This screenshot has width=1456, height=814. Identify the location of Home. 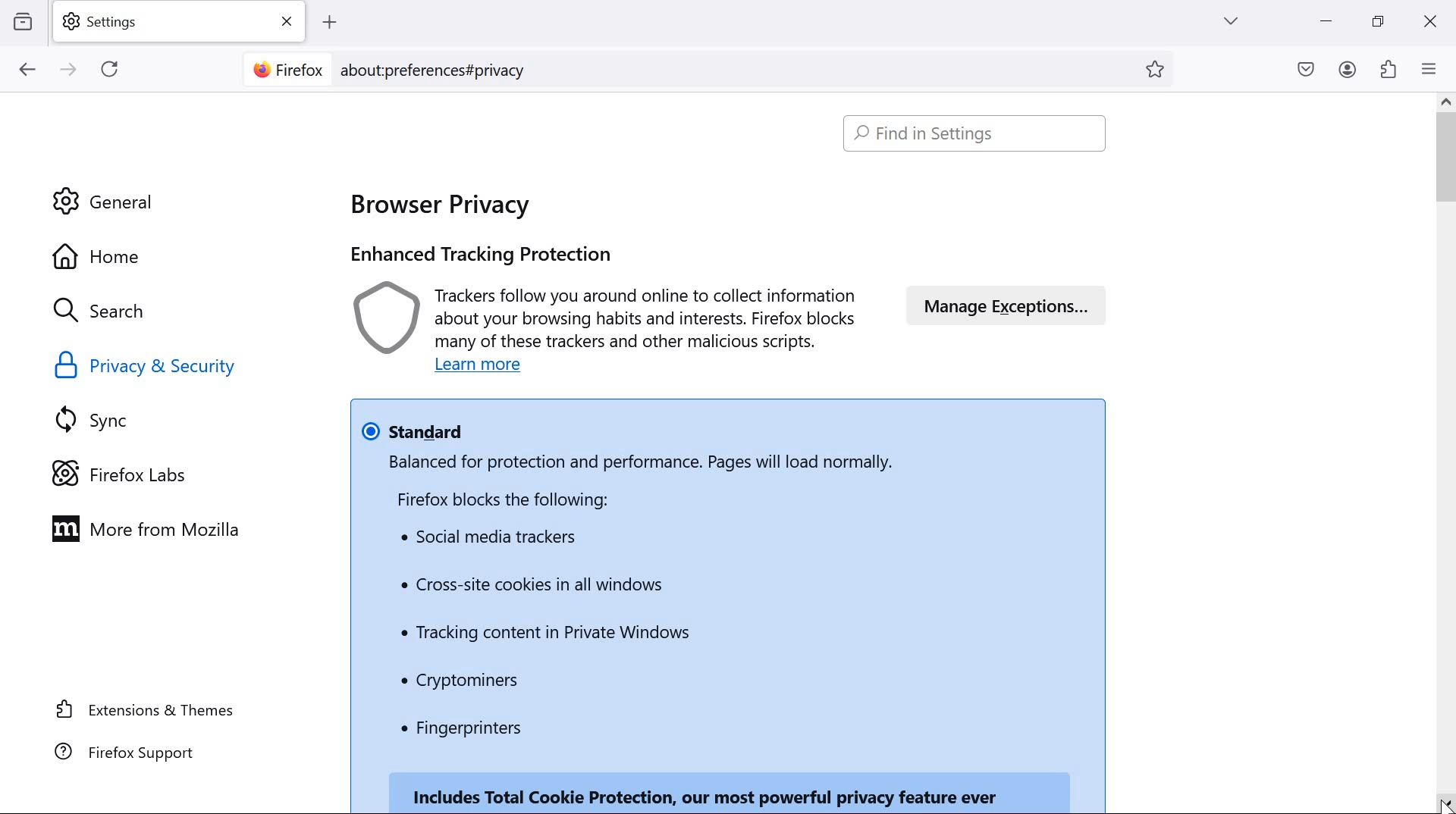
(140, 255).